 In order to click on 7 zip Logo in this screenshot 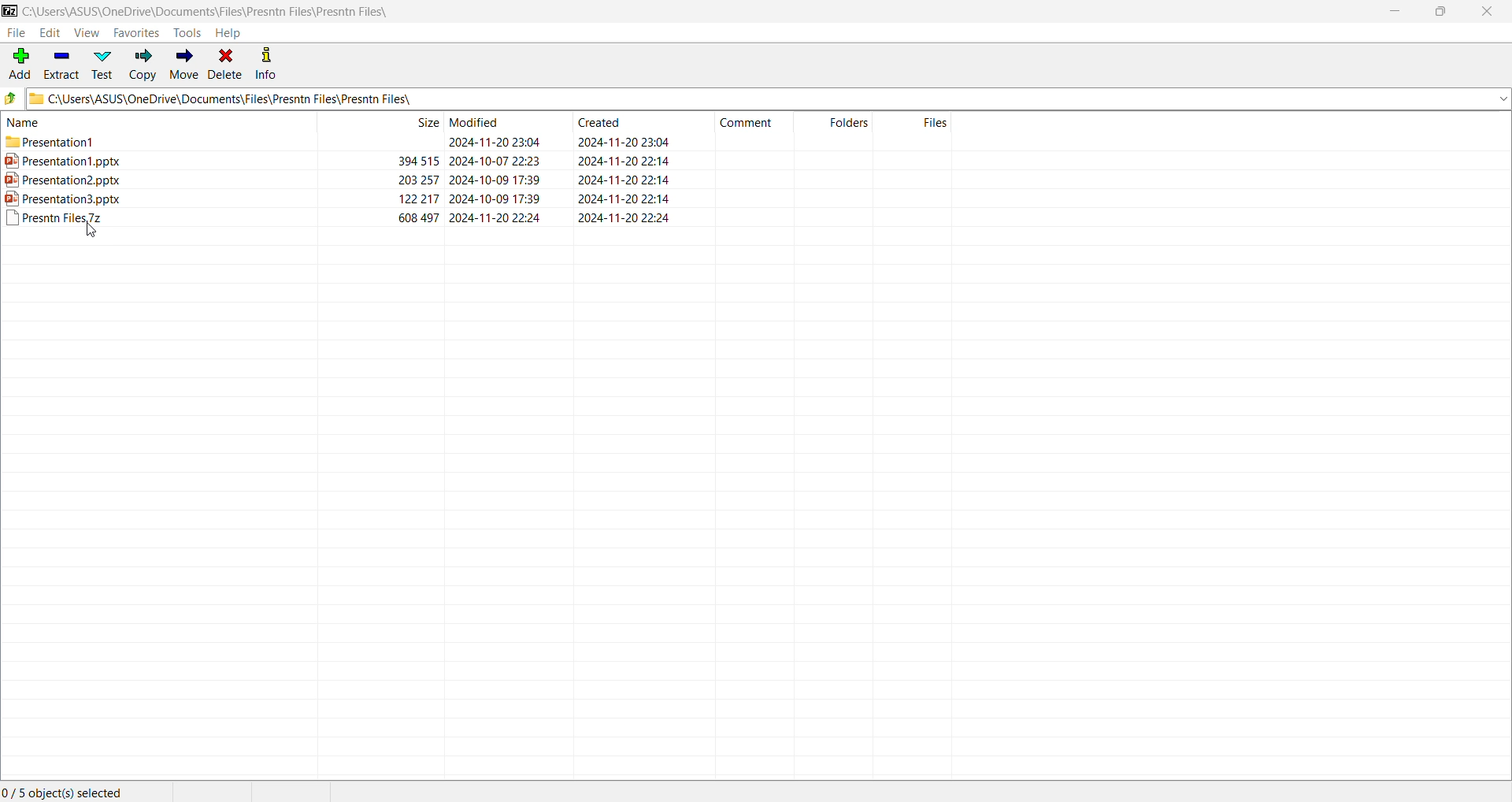, I will do `click(9, 12)`.